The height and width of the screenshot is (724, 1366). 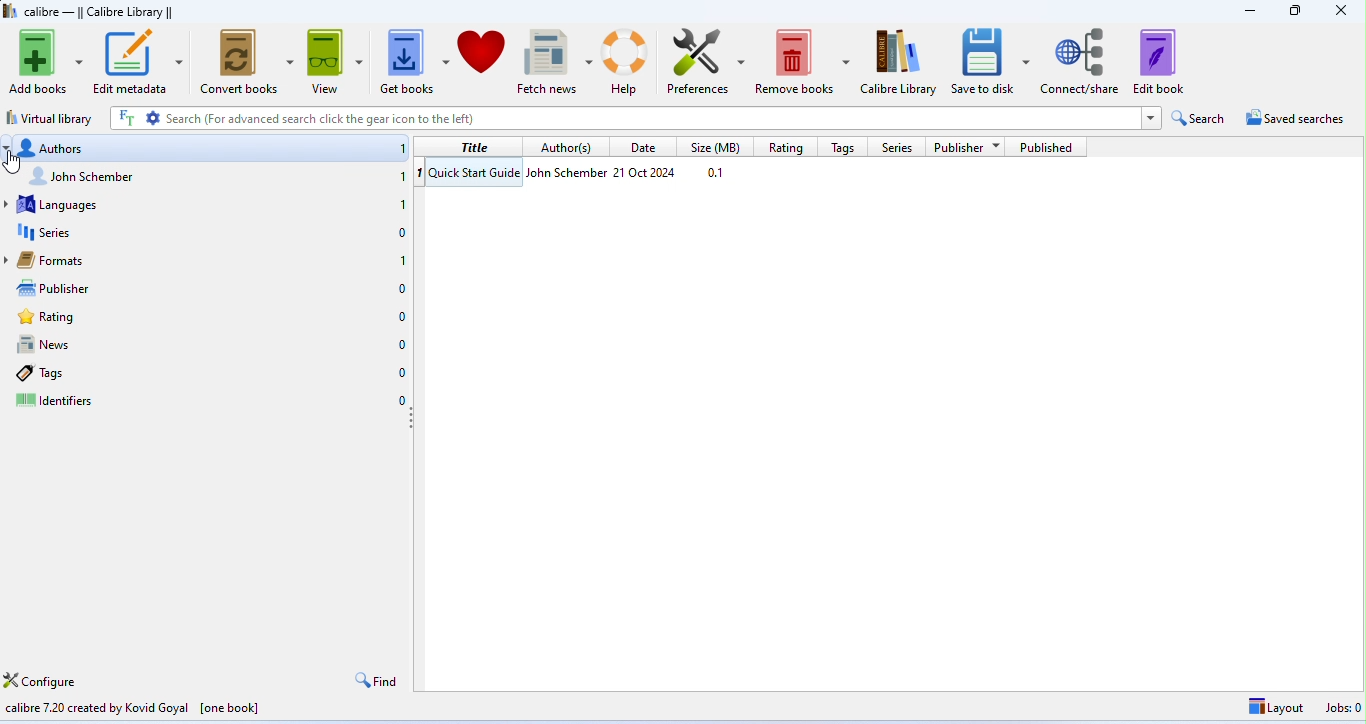 I want to click on identifier, so click(x=207, y=398).